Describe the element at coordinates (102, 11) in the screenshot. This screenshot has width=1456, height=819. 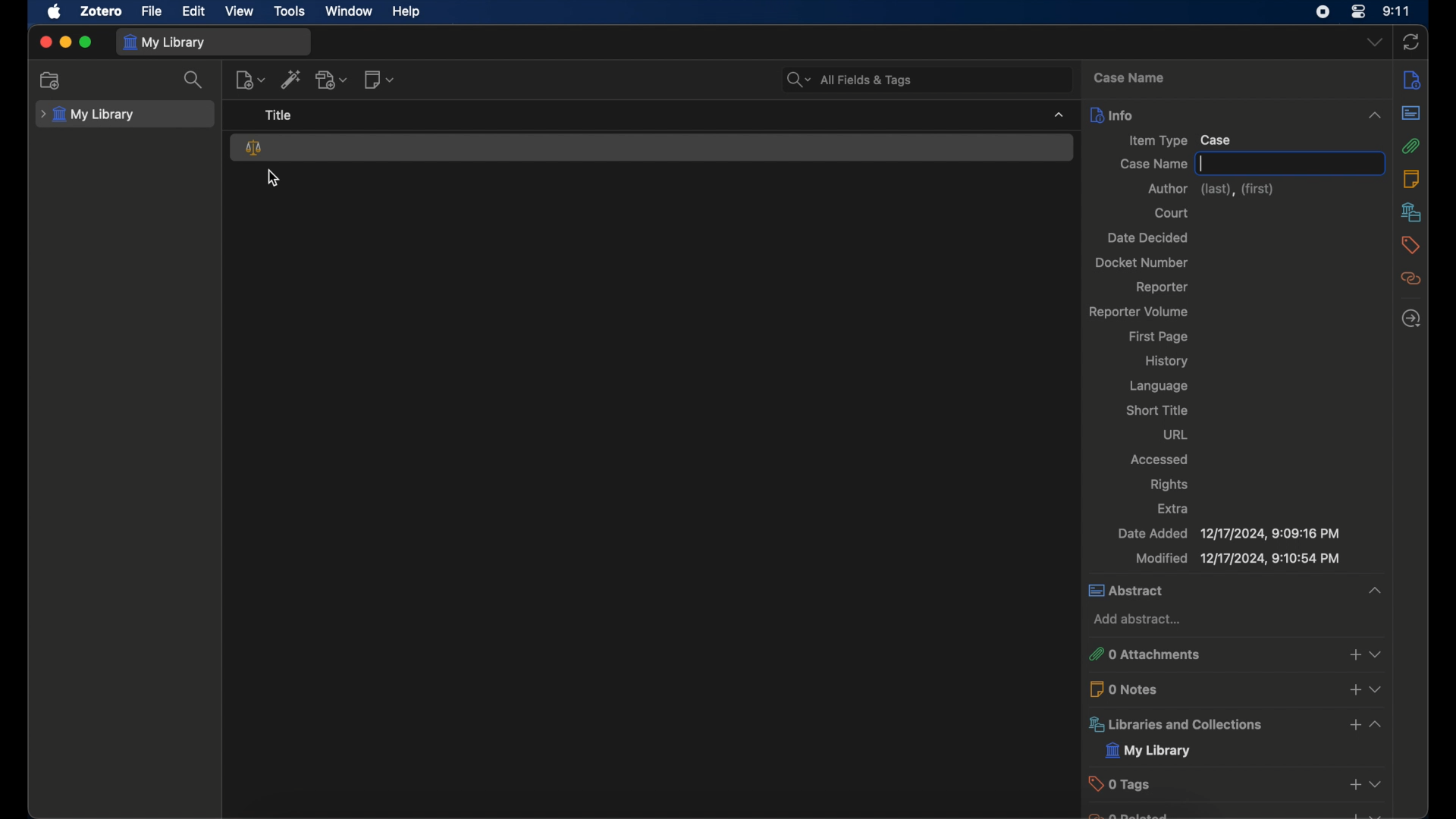
I see `zotero` at that location.